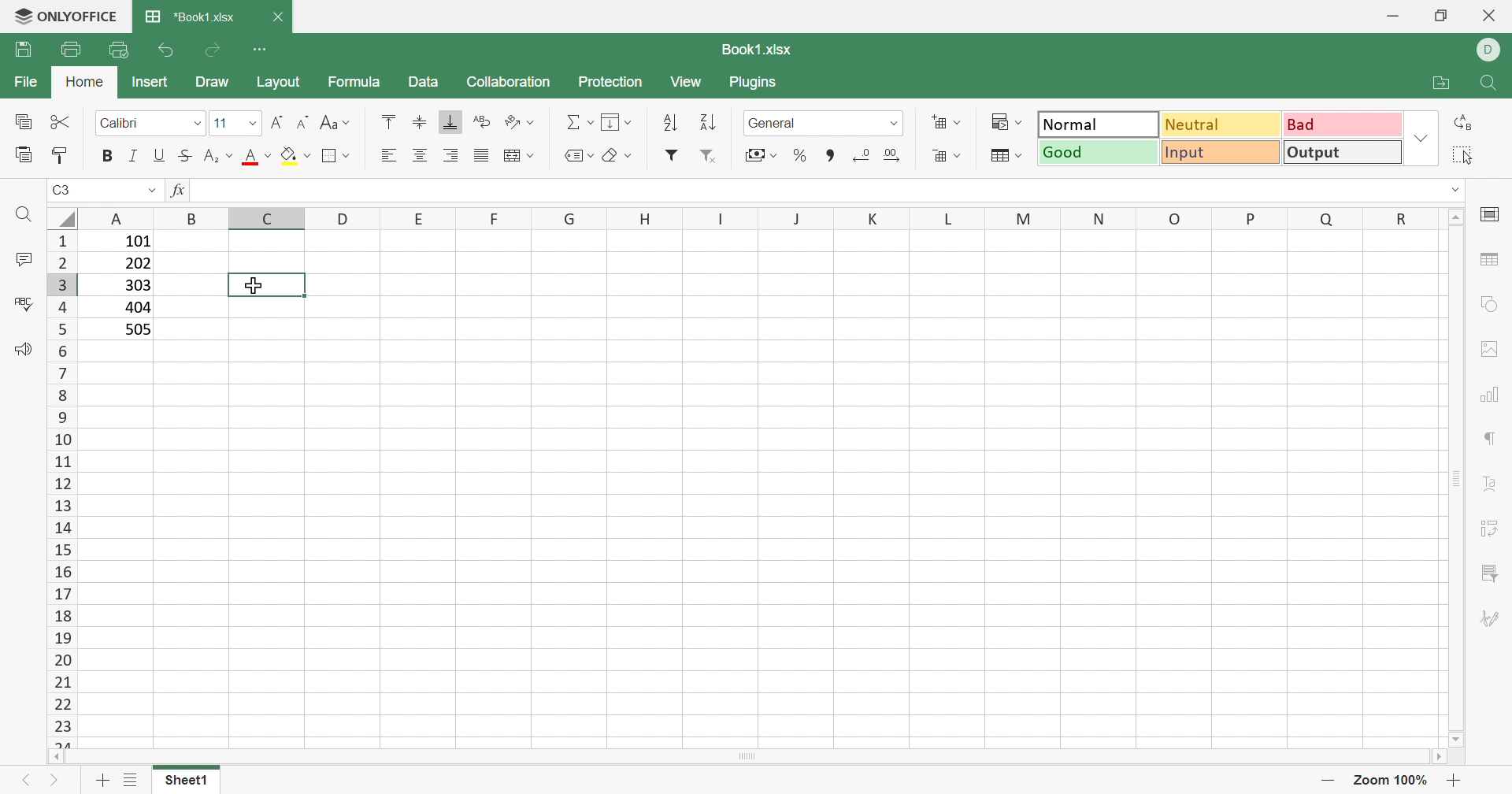 The width and height of the screenshot is (1512, 794). I want to click on selected cell, so click(265, 284).